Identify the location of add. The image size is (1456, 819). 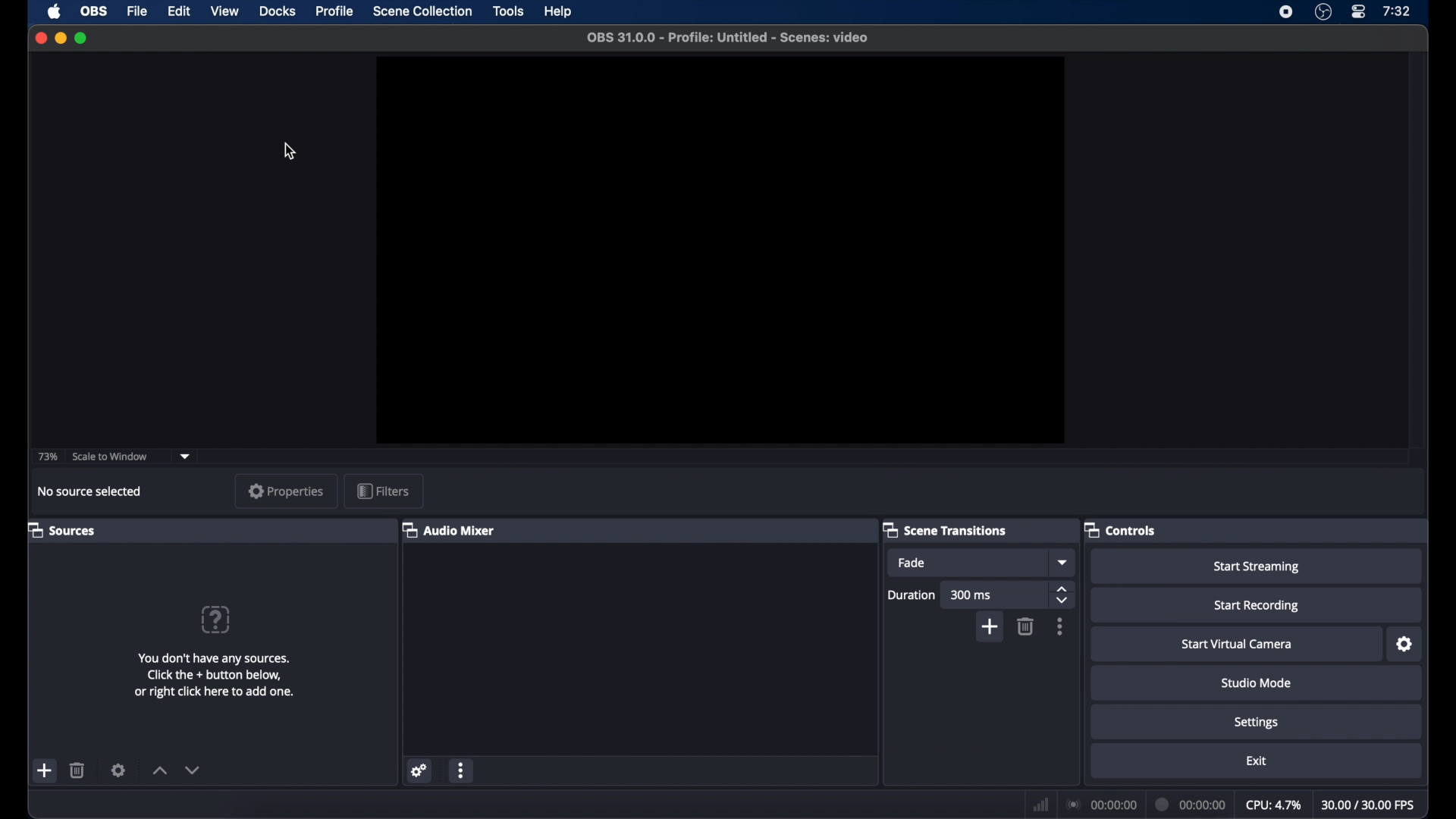
(45, 770).